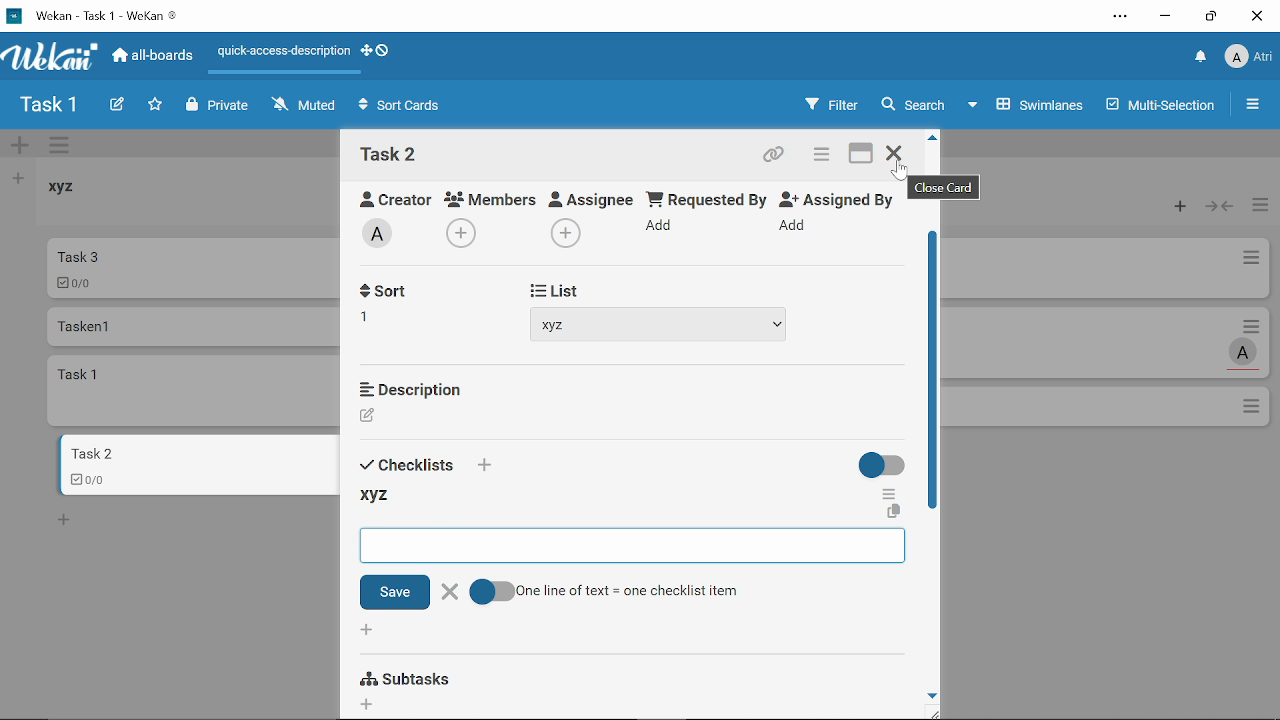  What do you see at coordinates (368, 629) in the screenshot?
I see `Add` at bounding box center [368, 629].